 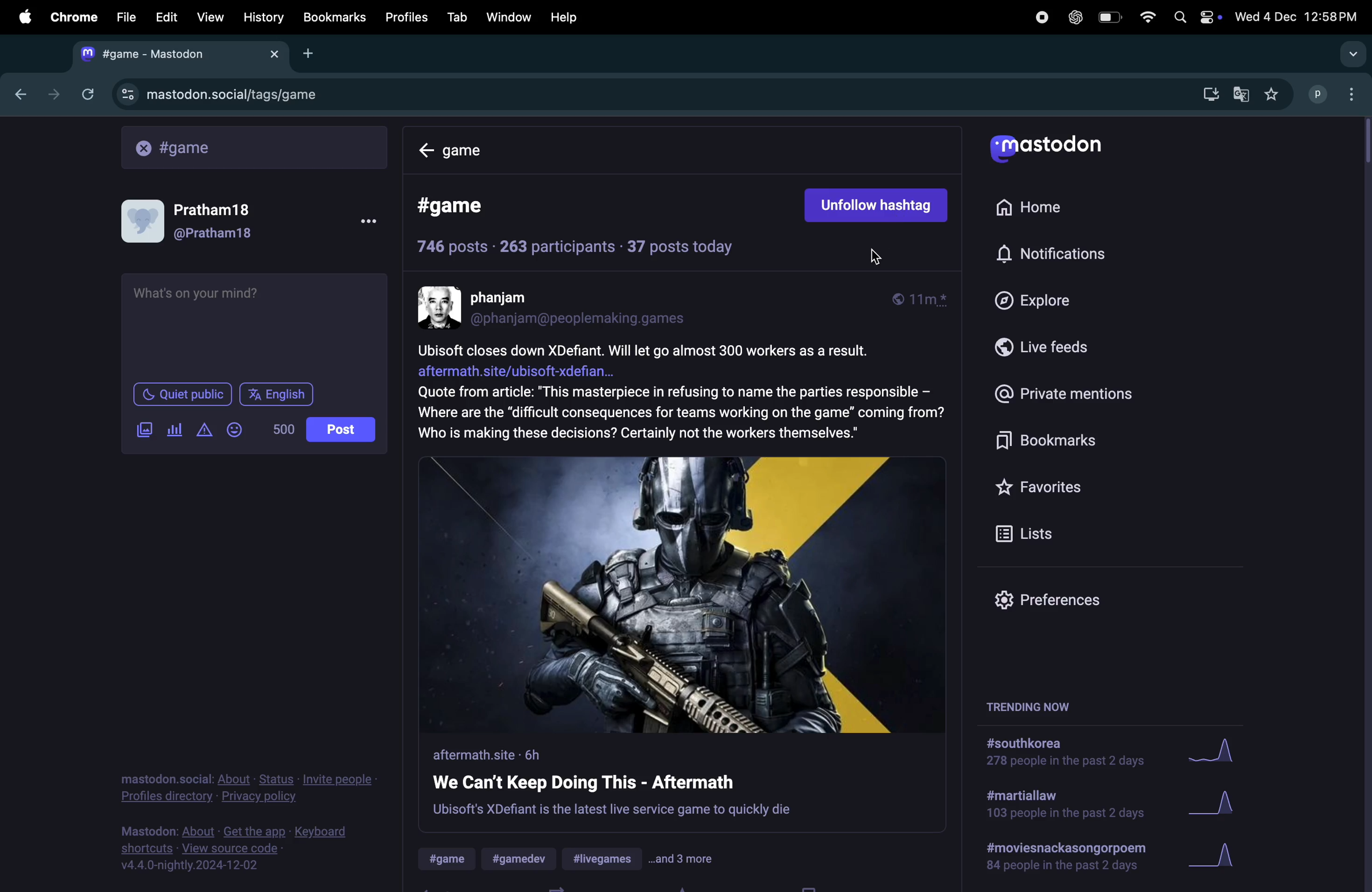 What do you see at coordinates (1048, 487) in the screenshot?
I see `Favourites` at bounding box center [1048, 487].